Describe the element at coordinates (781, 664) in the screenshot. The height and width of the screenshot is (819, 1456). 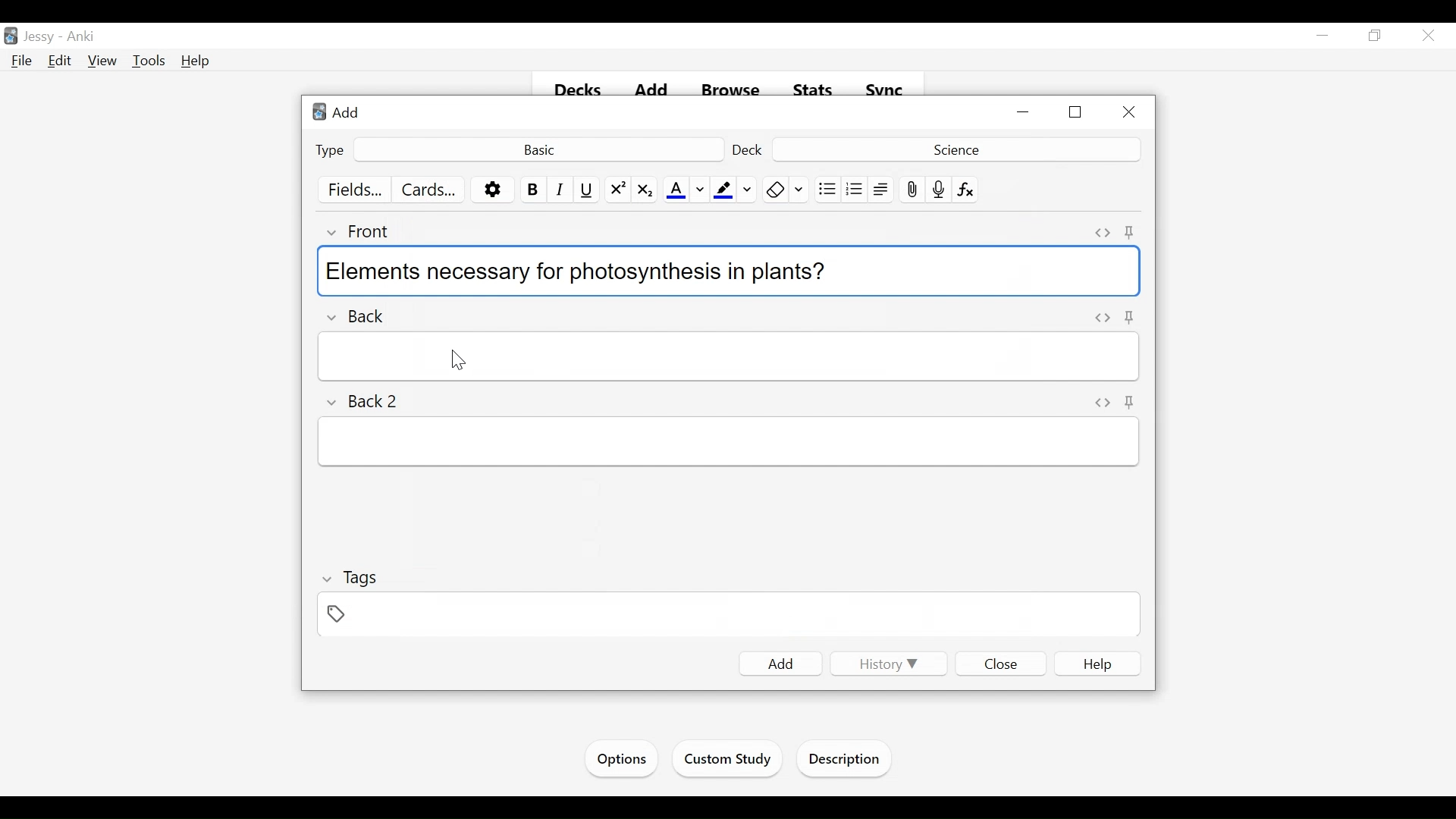
I see `Add` at that location.